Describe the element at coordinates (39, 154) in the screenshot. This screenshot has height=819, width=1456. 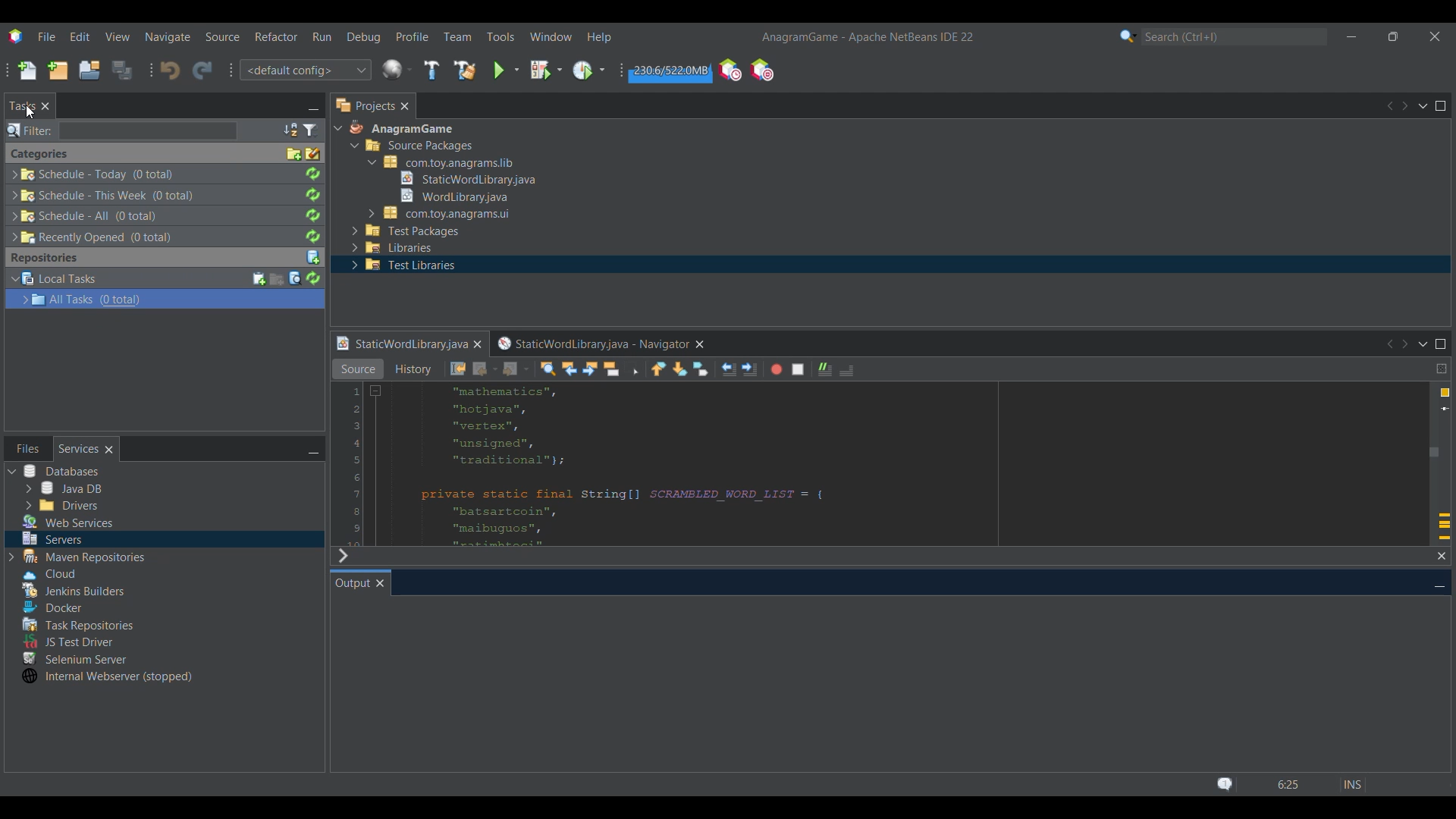
I see `Section title` at that location.